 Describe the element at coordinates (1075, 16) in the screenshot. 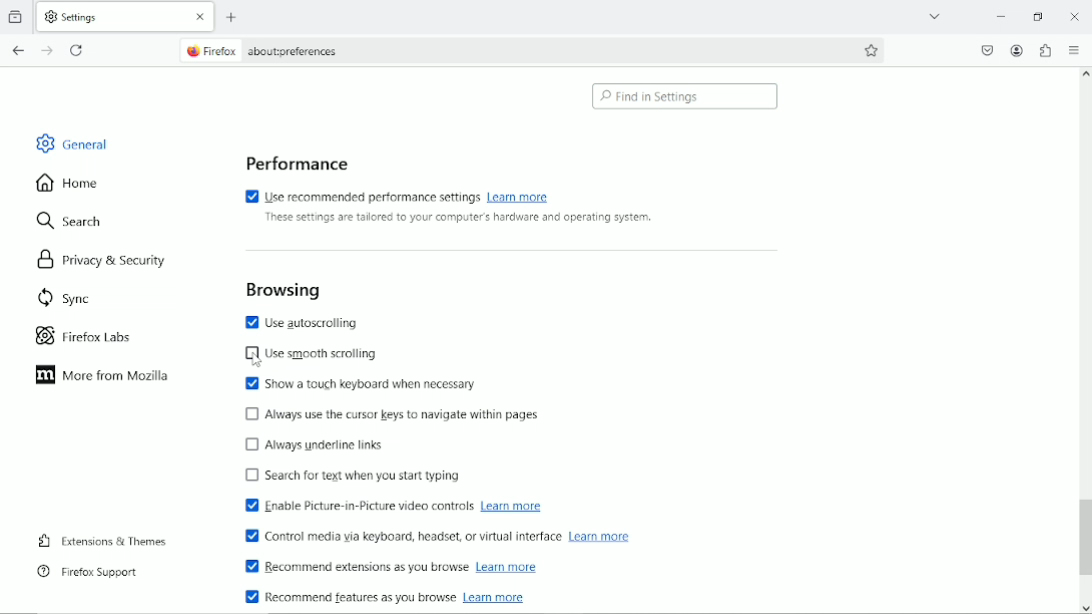

I see `Close` at that location.